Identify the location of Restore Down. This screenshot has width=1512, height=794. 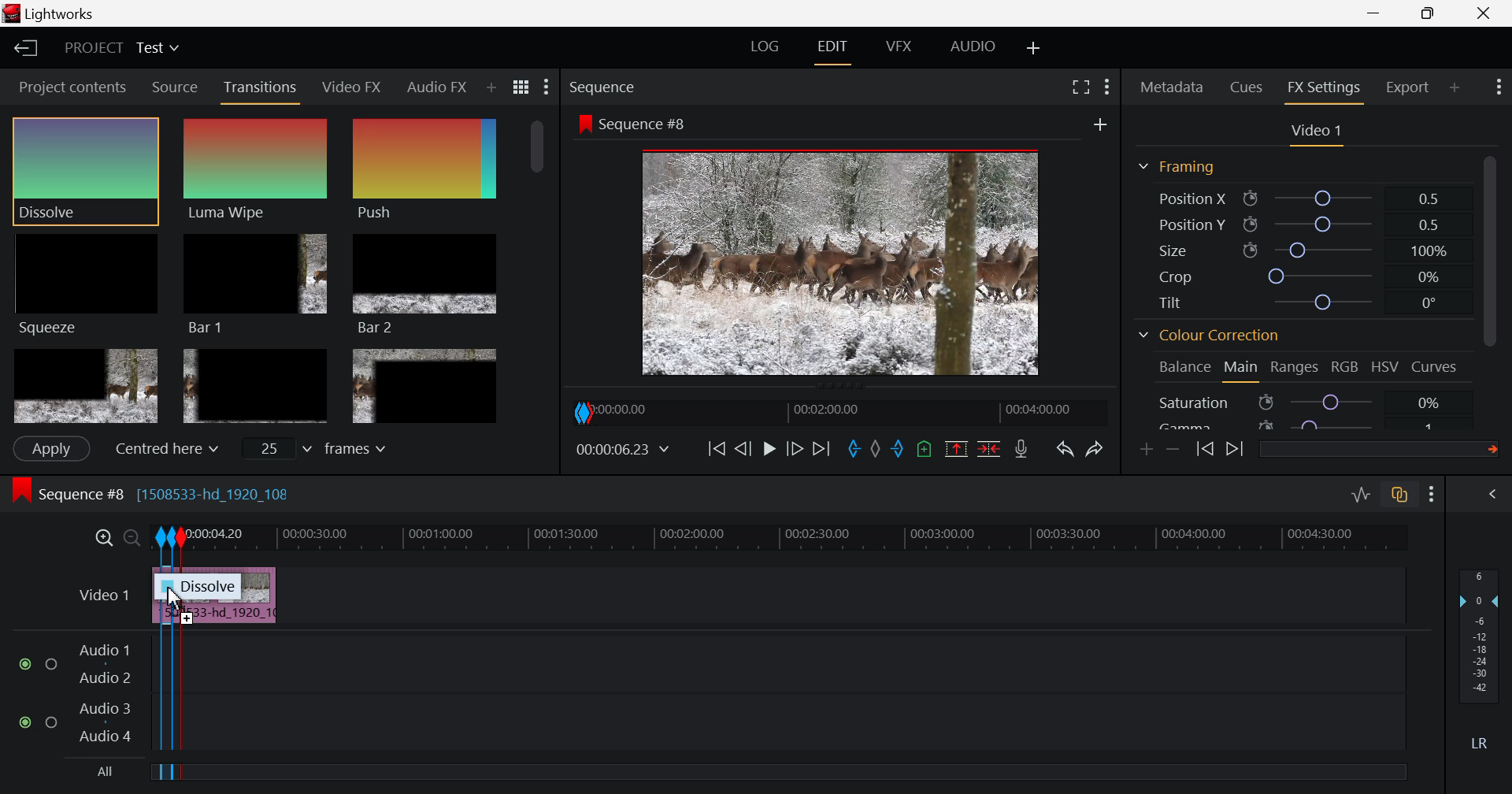
(1378, 13).